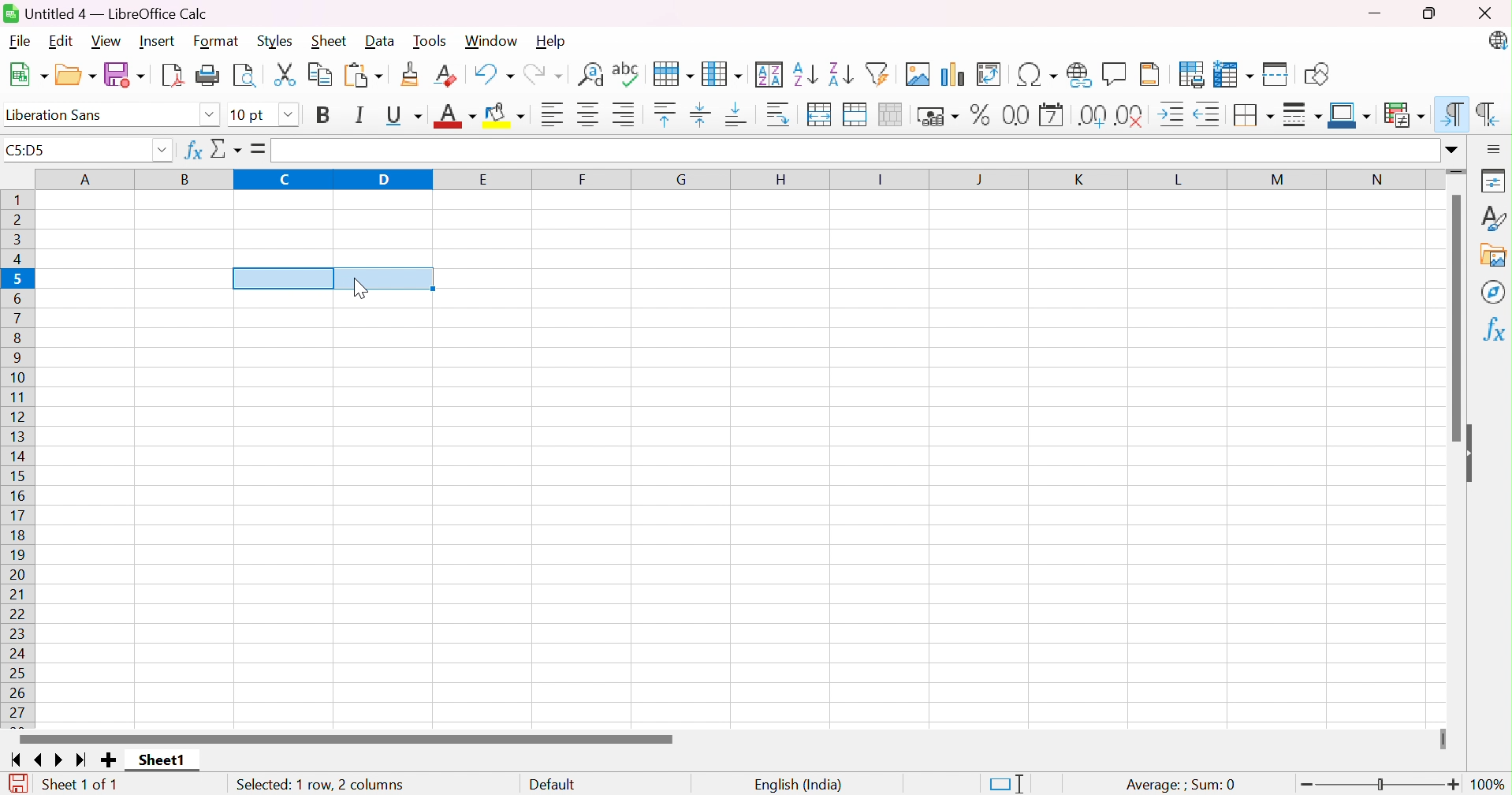 This screenshot has width=1512, height=795. Describe the element at coordinates (1035, 74) in the screenshot. I see `Insert Special Characters` at that location.